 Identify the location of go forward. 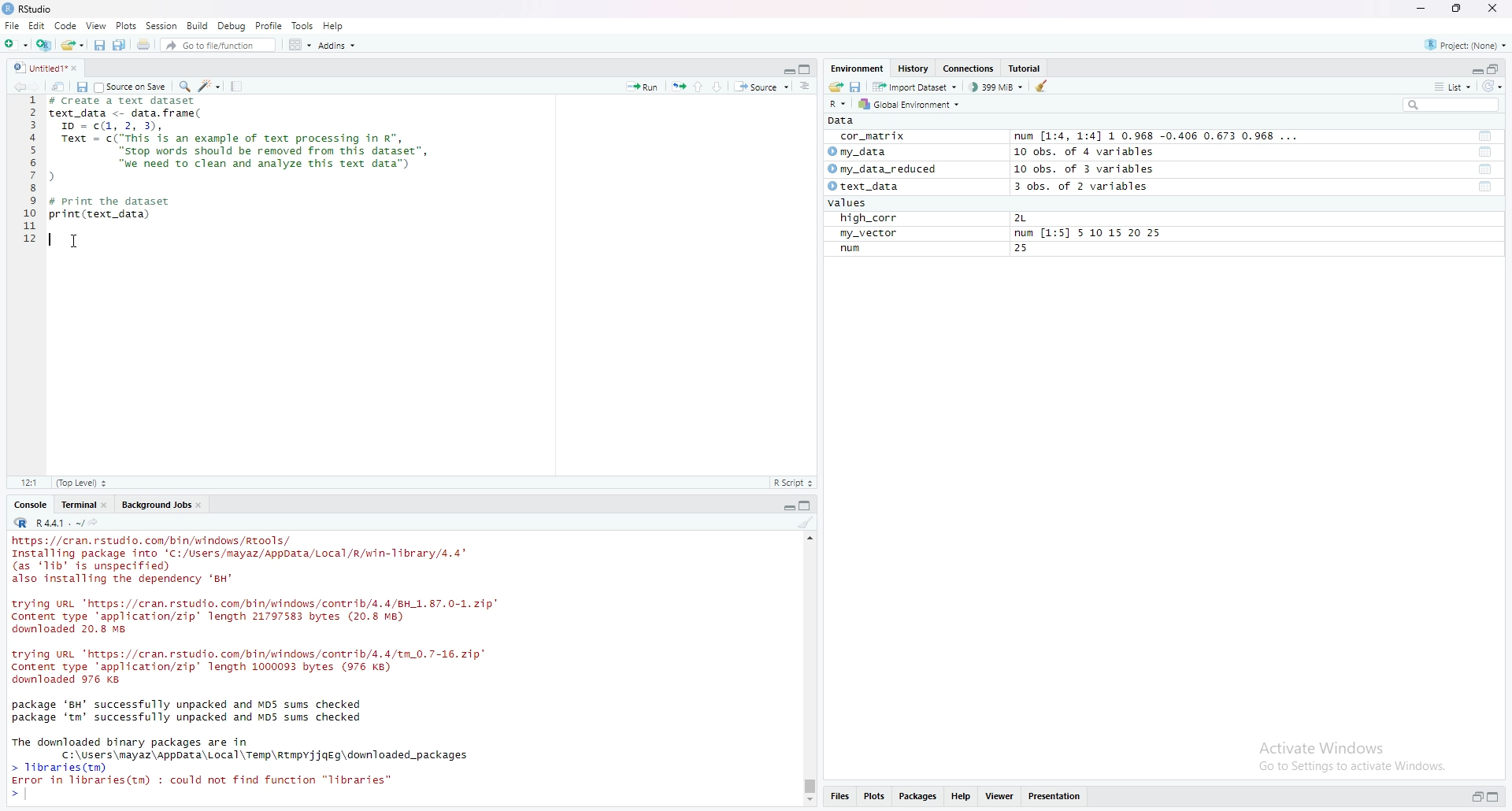
(39, 87).